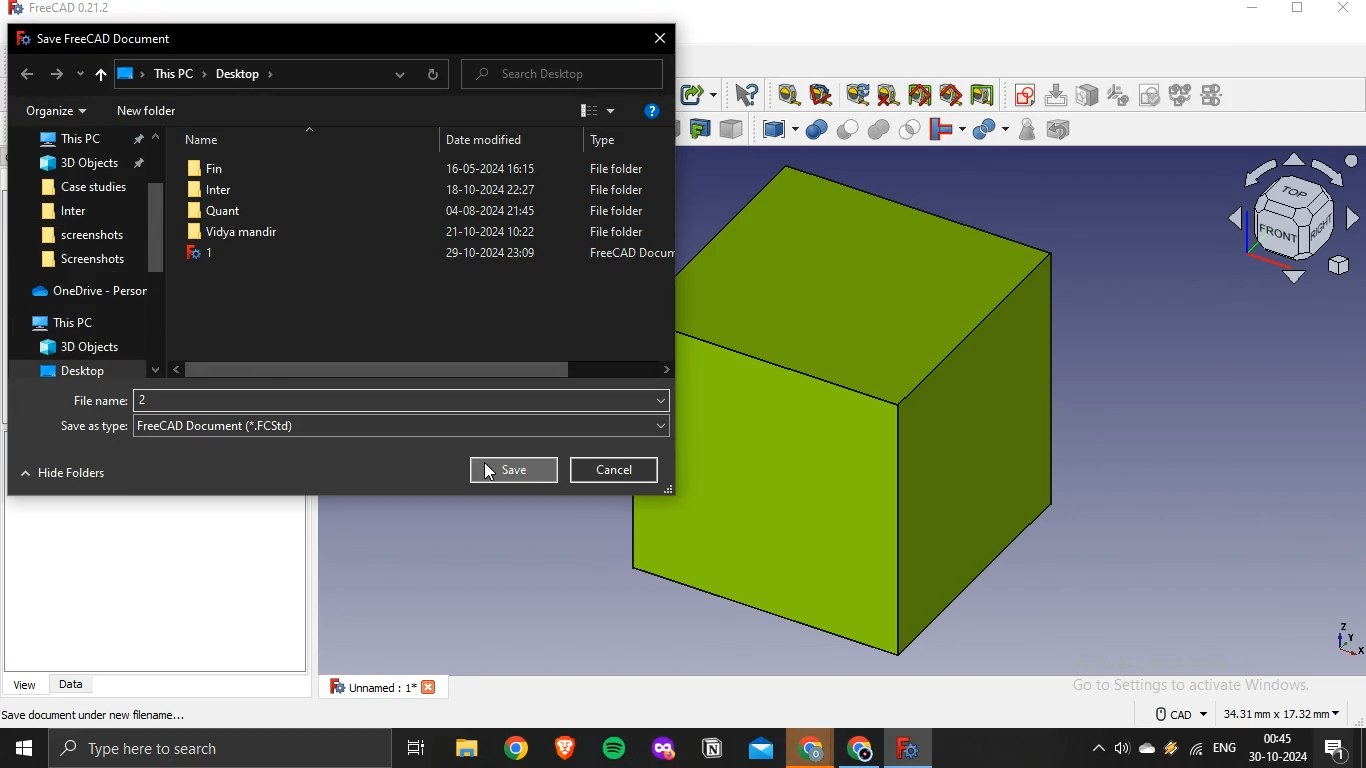 The image size is (1366, 768). Describe the element at coordinates (412, 190) in the screenshot. I see `Inter` at that location.